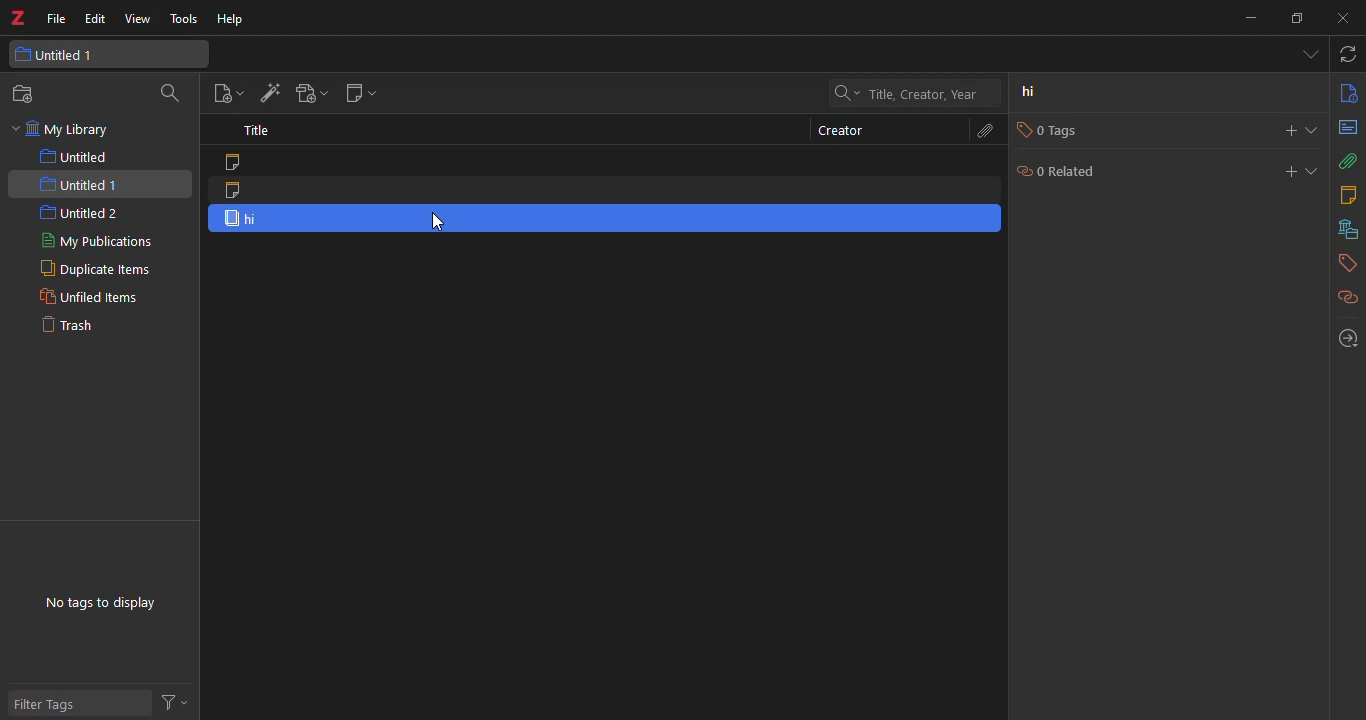 The width and height of the screenshot is (1366, 720). Describe the element at coordinates (139, 20) in the screenshot. I see `view` at that location.